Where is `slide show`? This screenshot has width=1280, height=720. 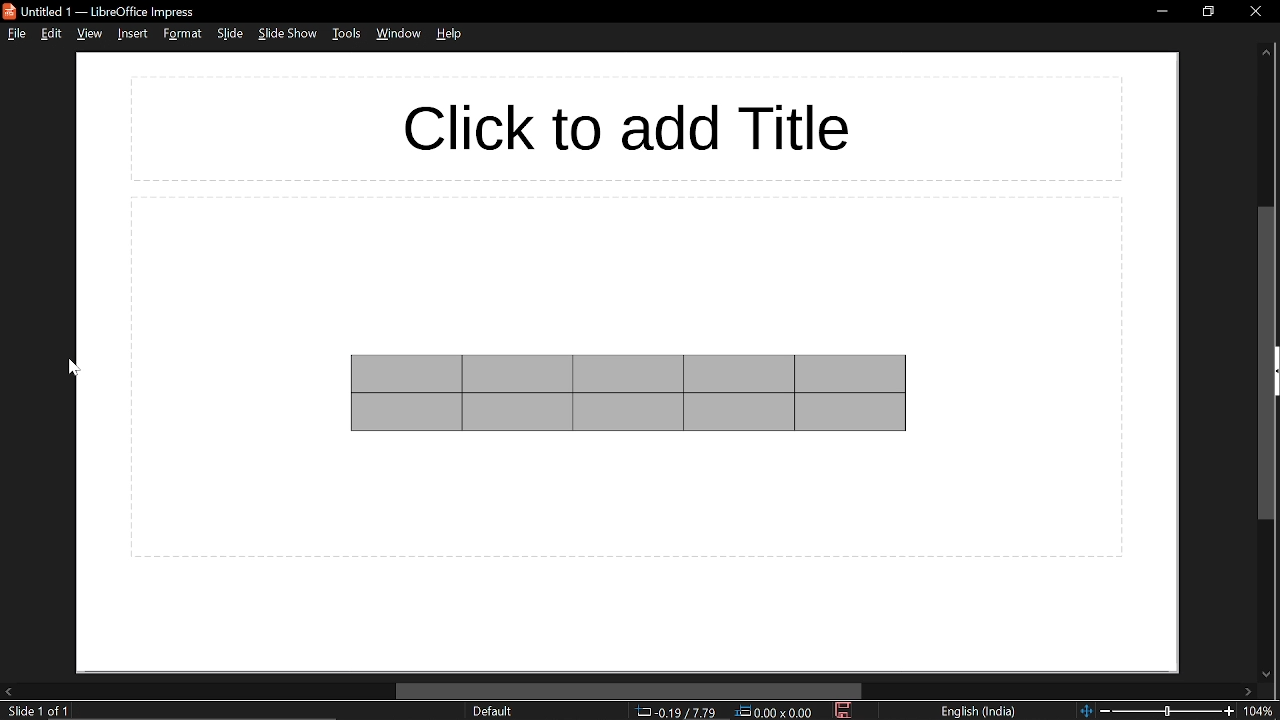
slide show is located at coordinates (289, 33).